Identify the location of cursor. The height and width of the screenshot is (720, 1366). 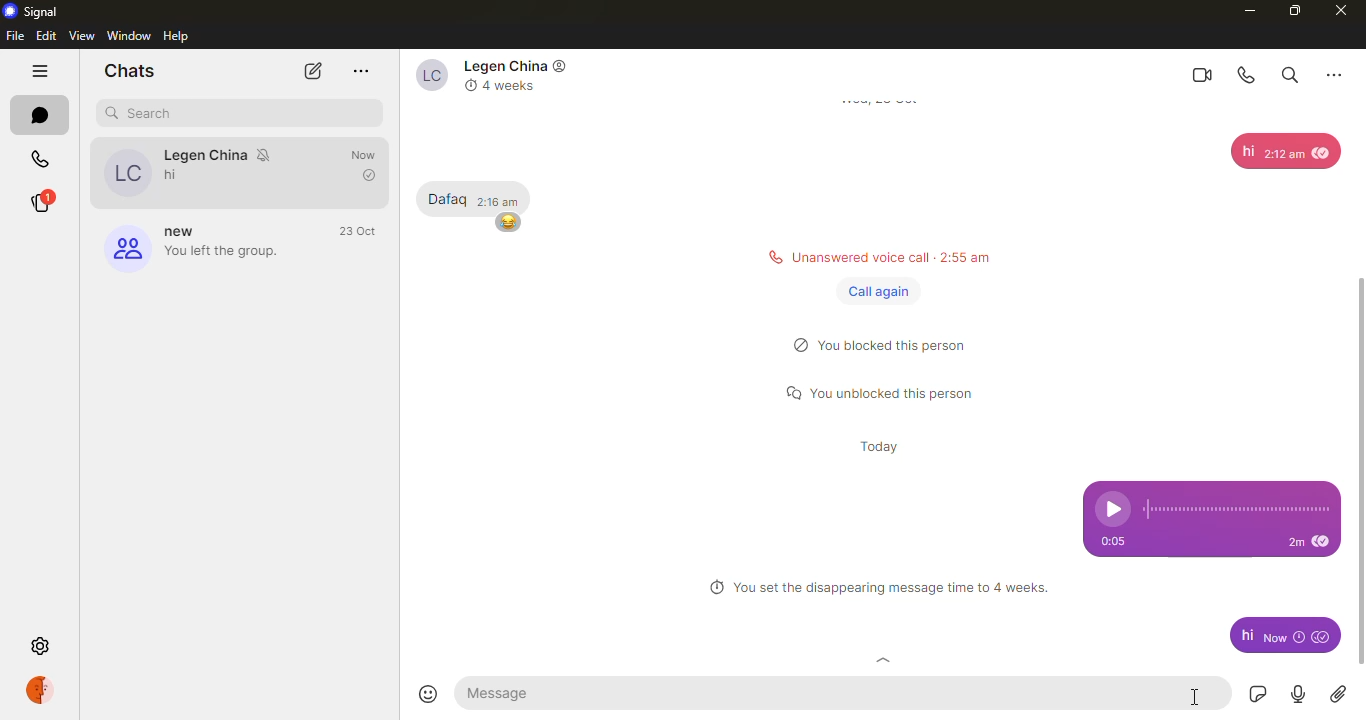
(1197, 698).